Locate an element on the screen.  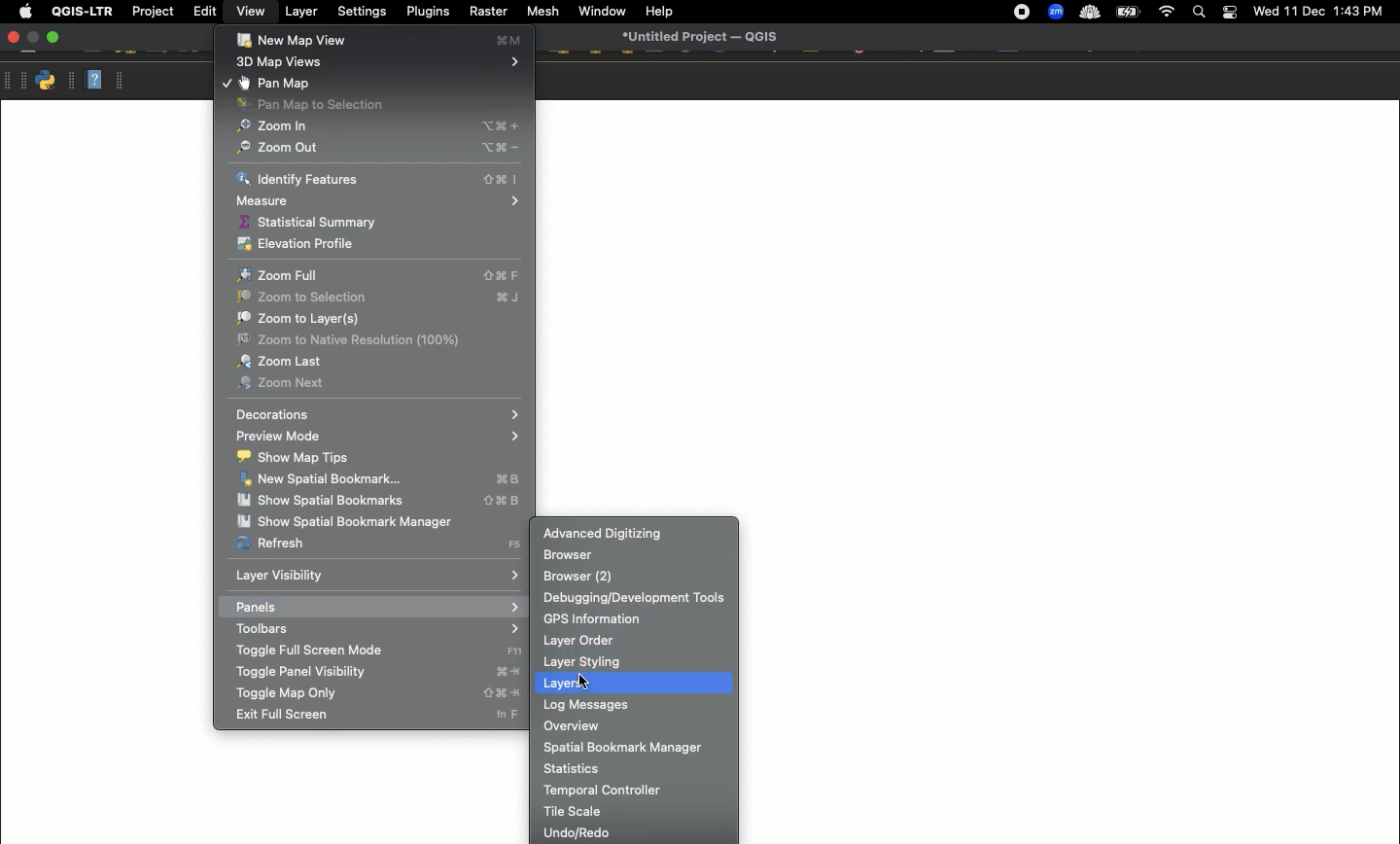
Identify features is located at coordinates (377, 179).